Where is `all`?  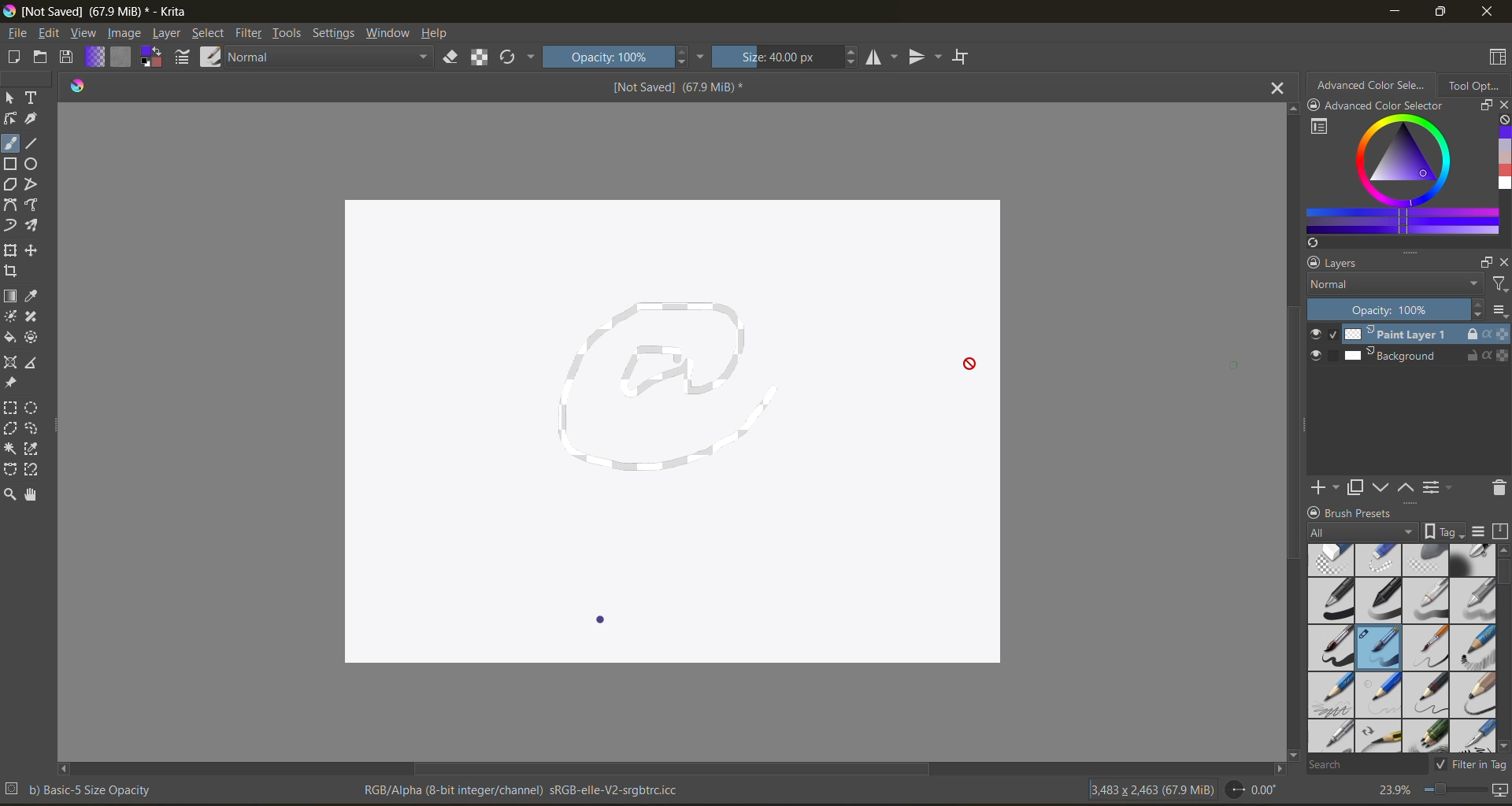 all is located at coordinates (1361, 531).